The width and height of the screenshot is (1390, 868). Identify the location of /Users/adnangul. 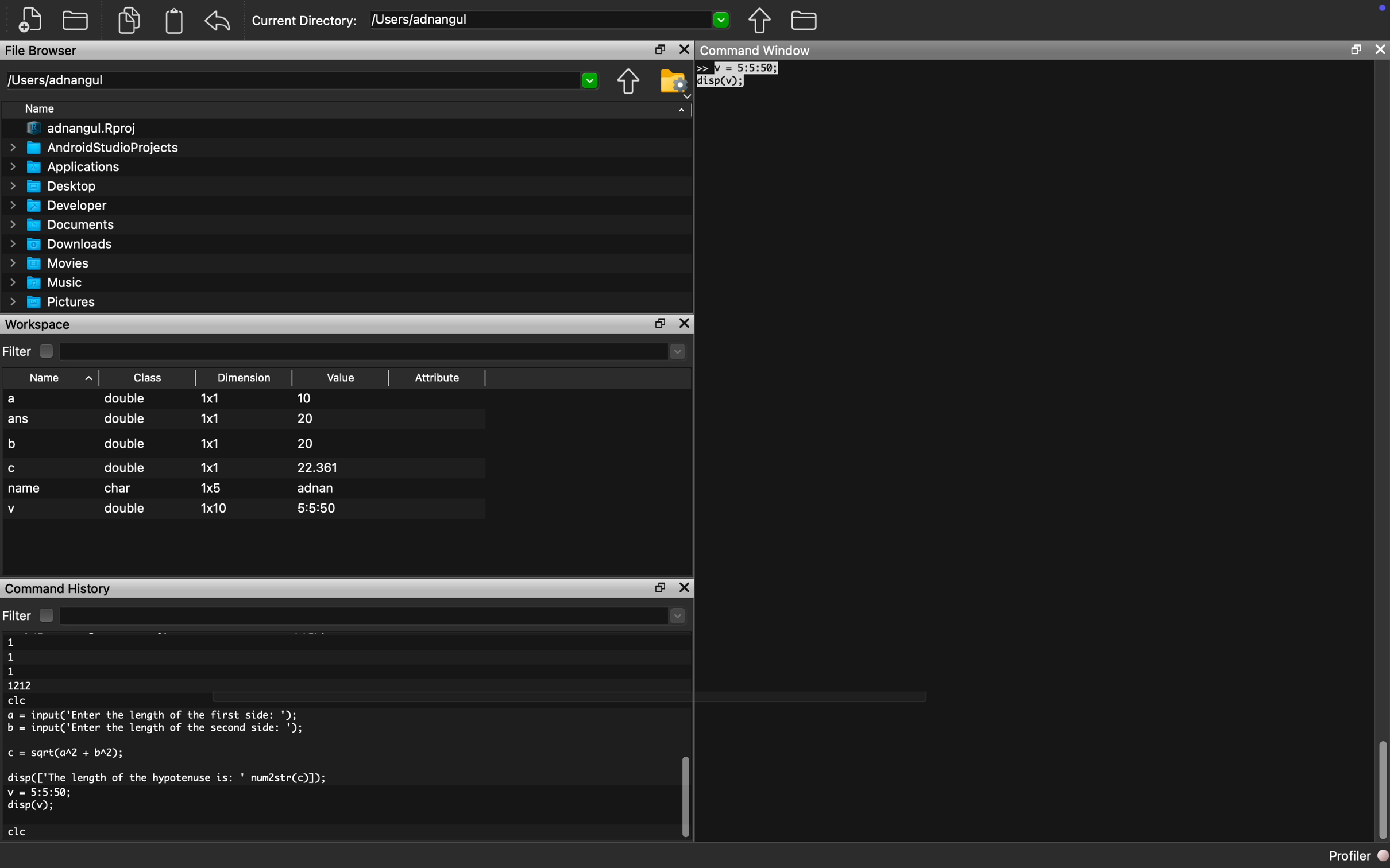
(418, 20).